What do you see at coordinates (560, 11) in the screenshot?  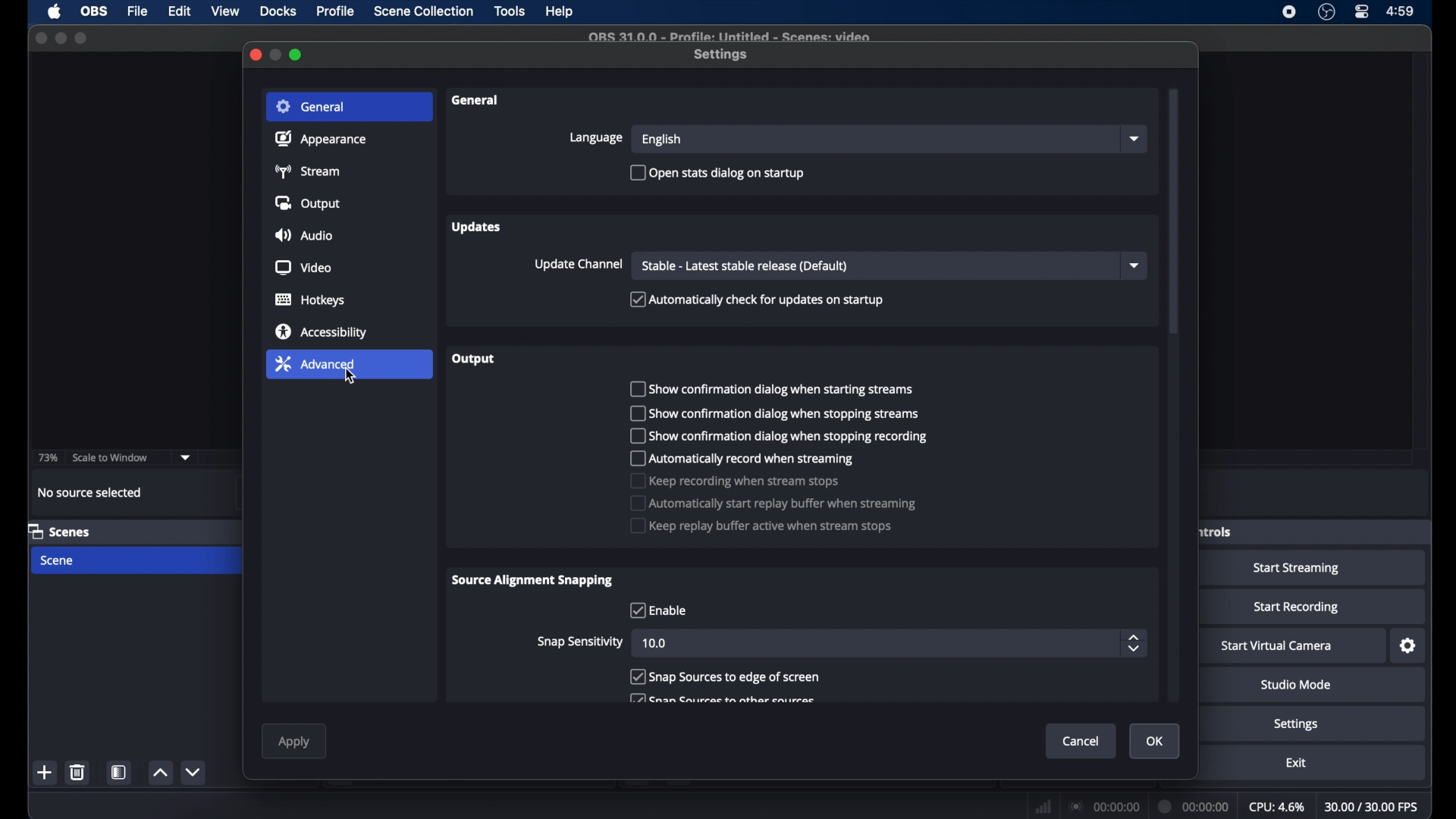 I see `help` at bounding box center [560, 11].